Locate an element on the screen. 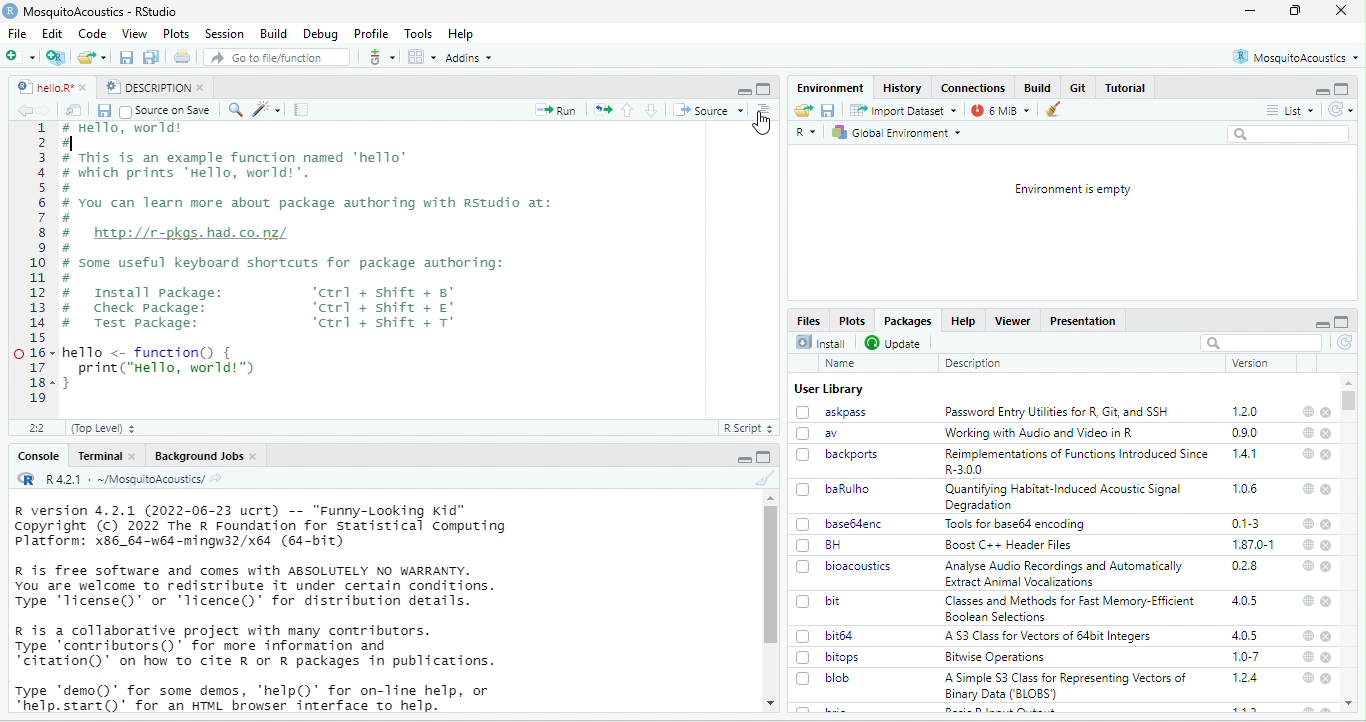 This screenshot has height=722, width=1366. 0.1-3 is located at coordinates (1246, 523).